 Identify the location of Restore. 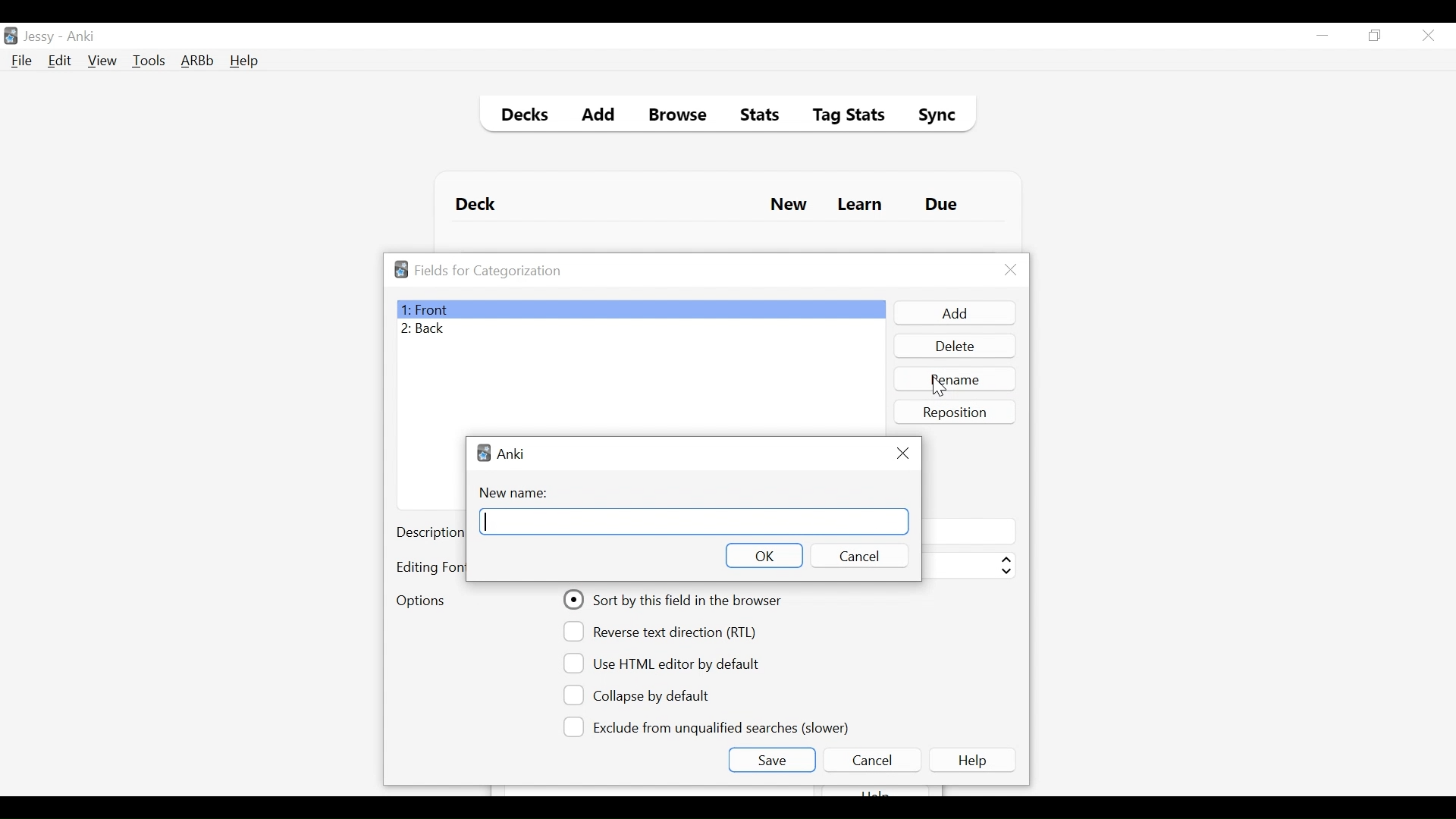
(1376, 36).